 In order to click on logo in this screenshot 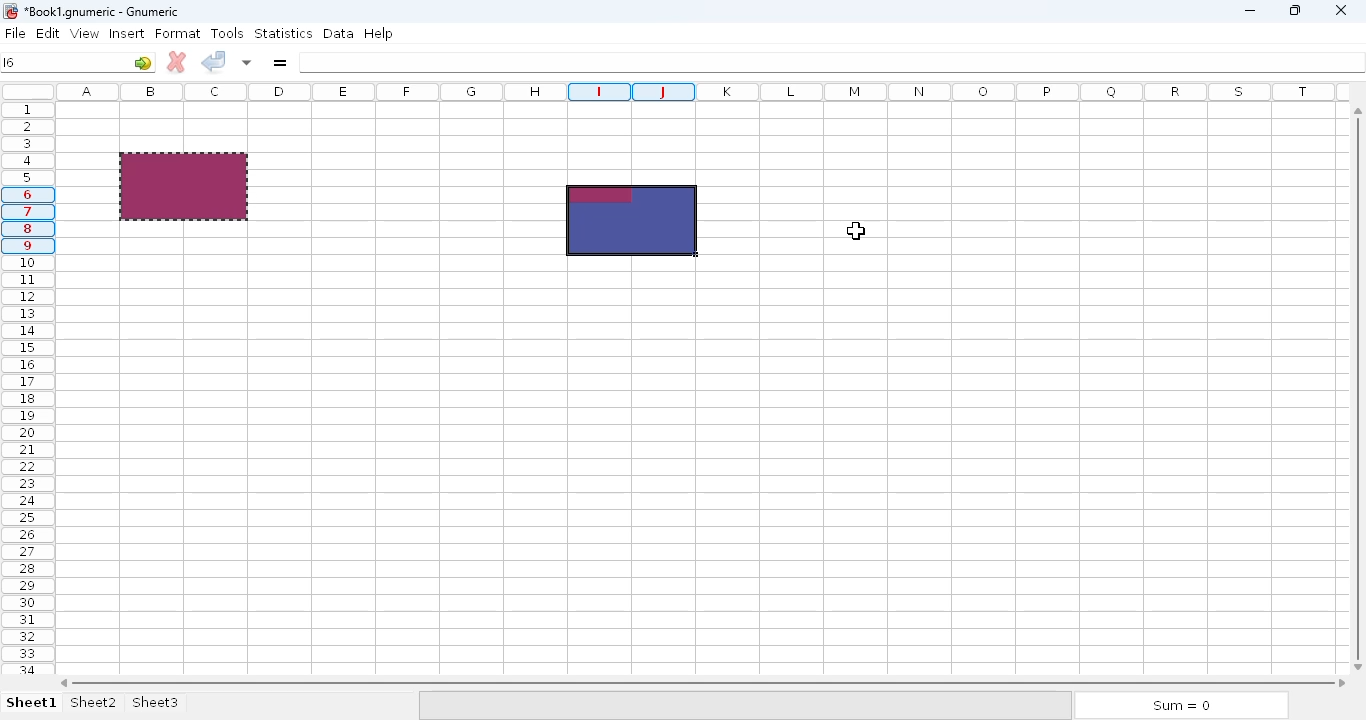, I will do `click(10, 12)`.